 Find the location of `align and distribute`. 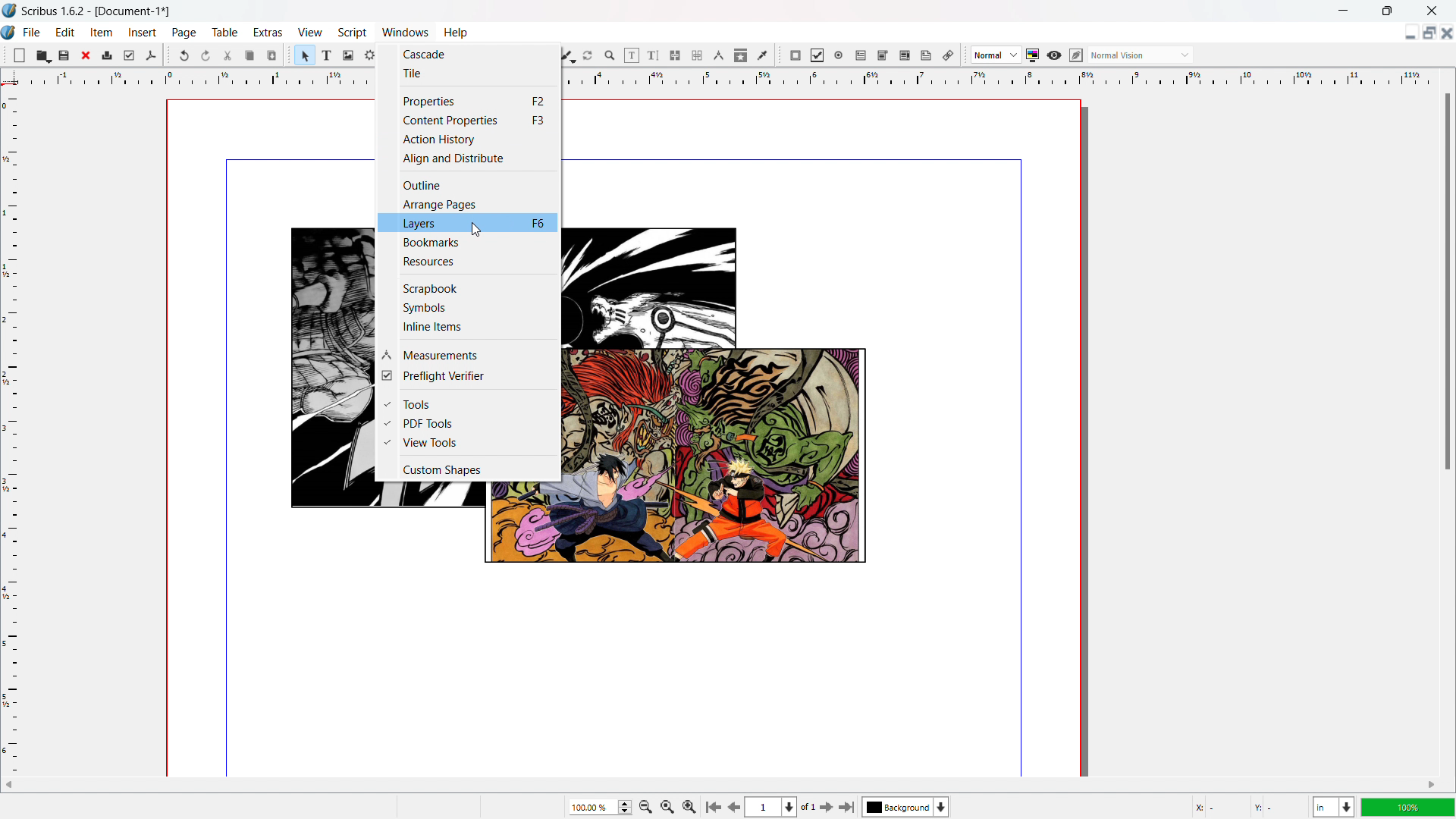

align and distribute is located at coordinates (467, 158).